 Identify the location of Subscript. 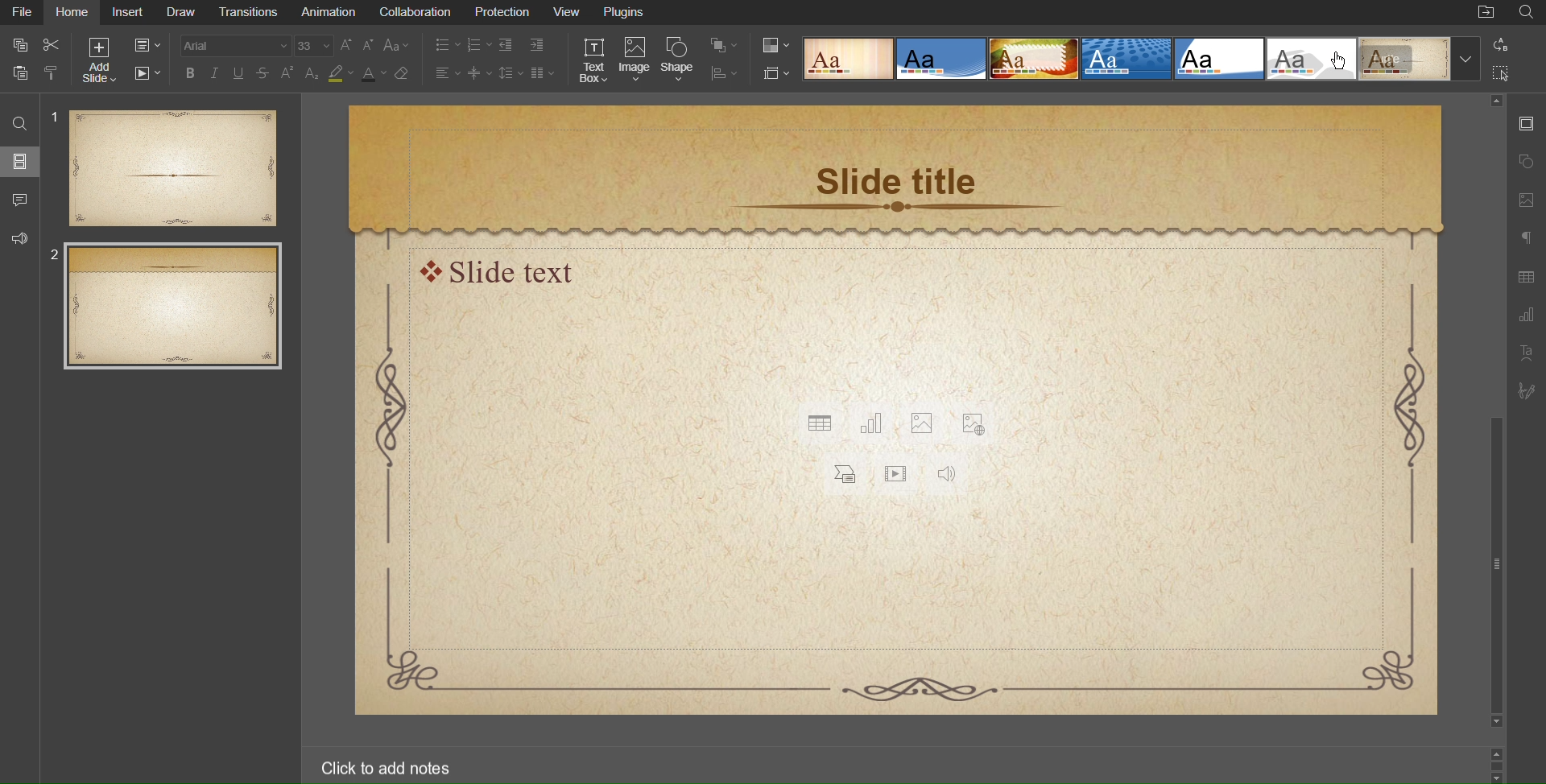
(312, 73).